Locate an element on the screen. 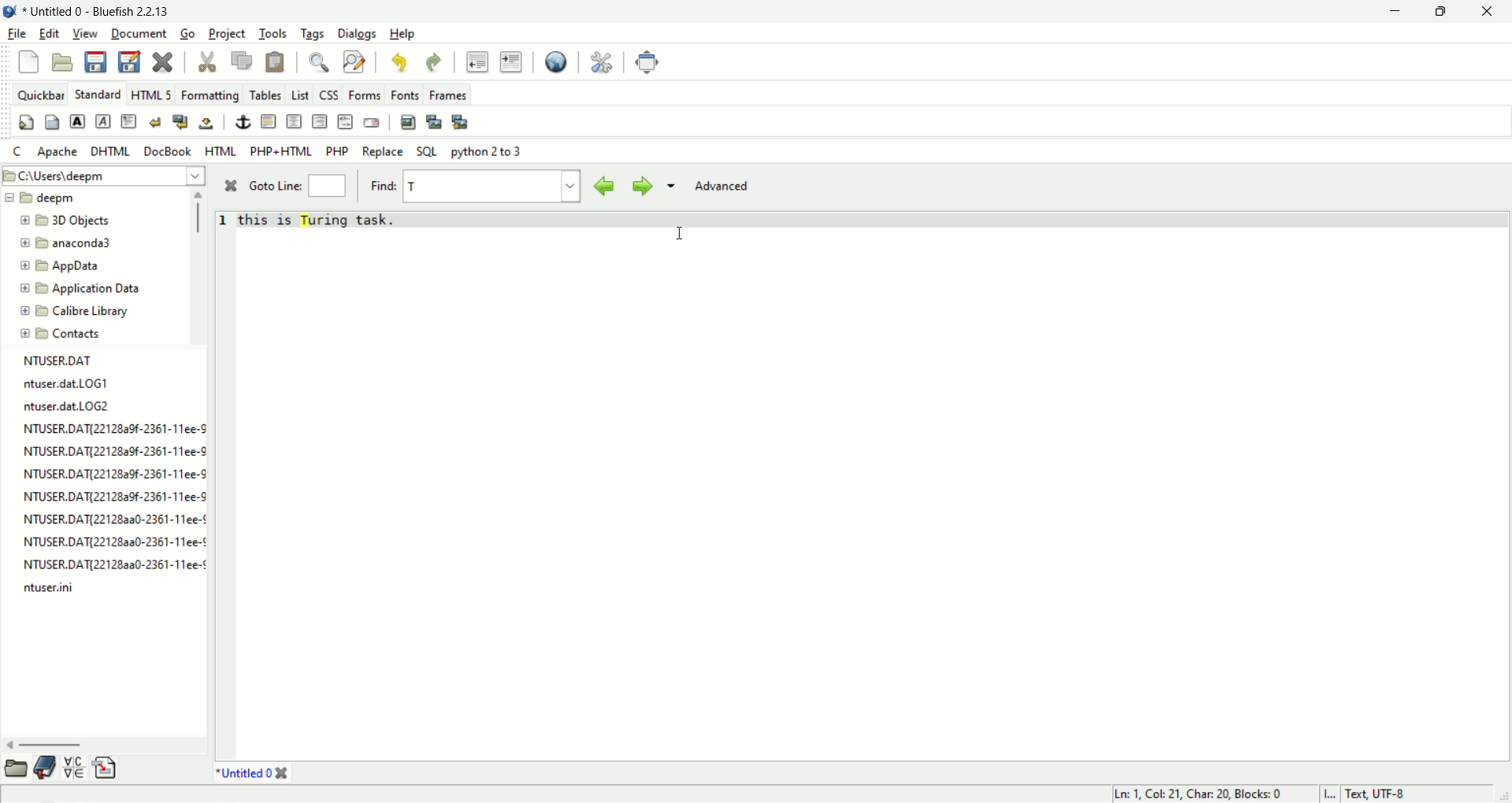  folder name is located at coordinates (83, 310).